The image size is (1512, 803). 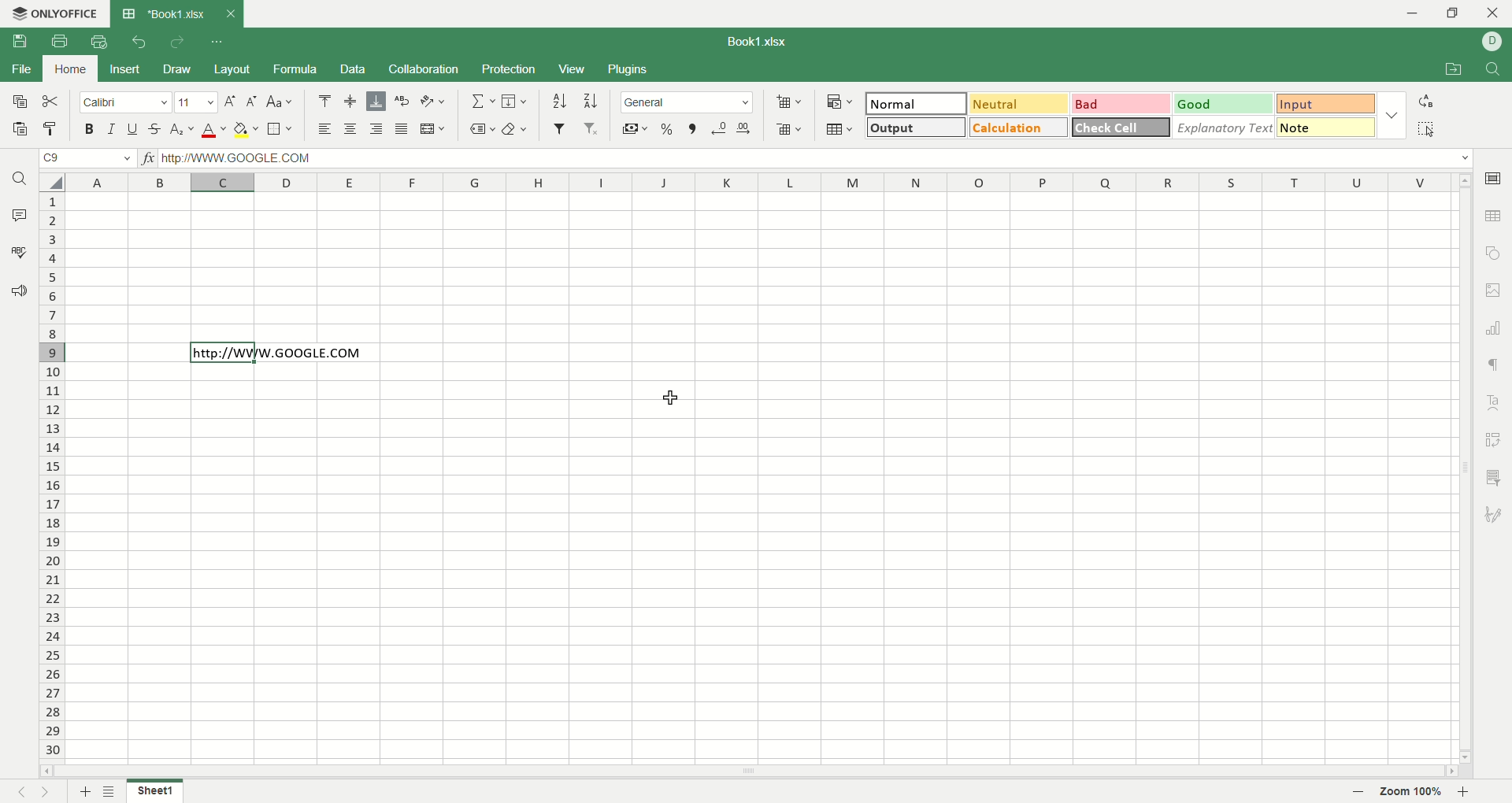 What do you see at coordinates (787, 128) in the screenshot?
I see `remove cell` at bounding box center [787, 128].